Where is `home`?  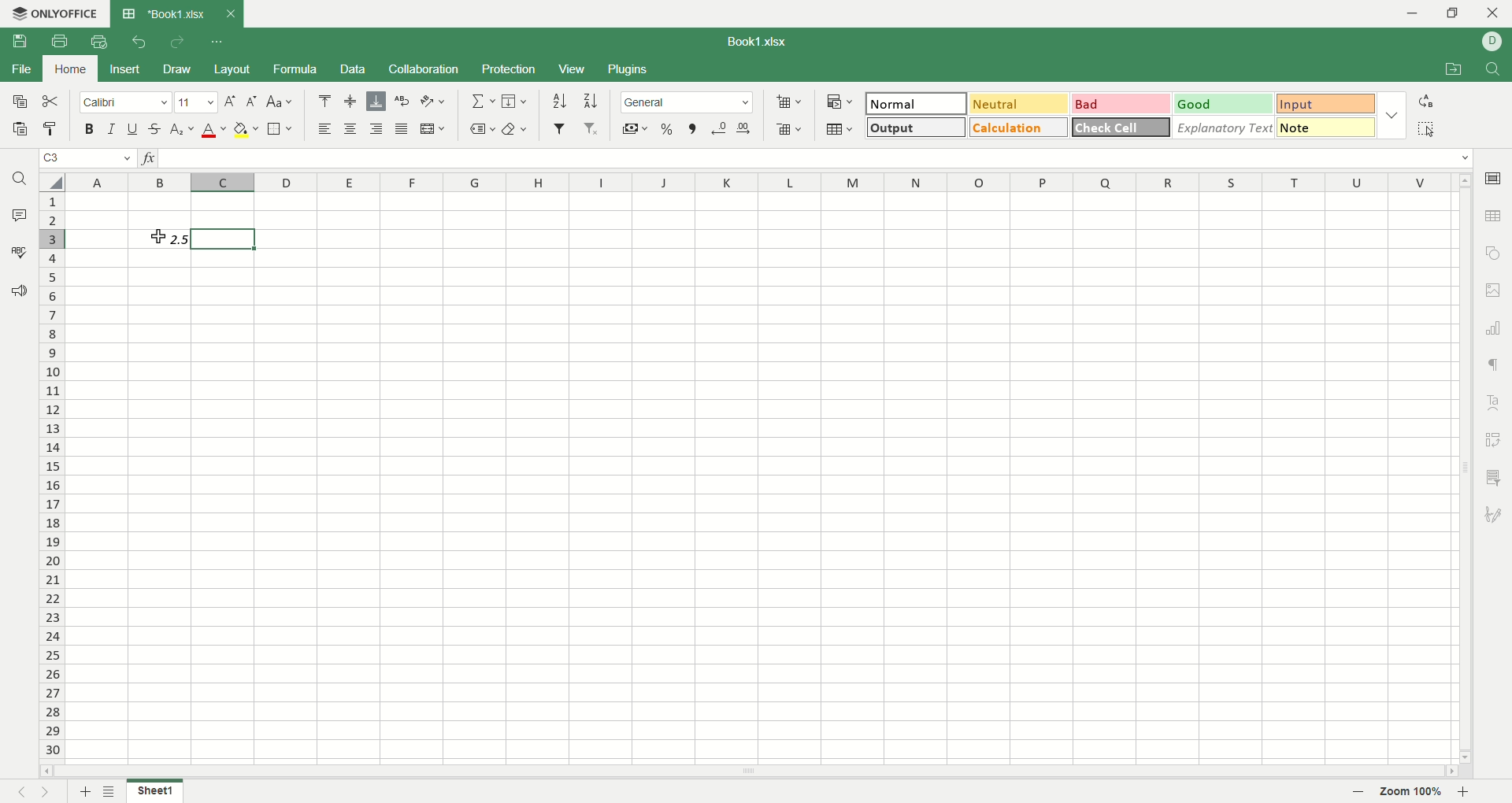
home is located at coordinates (68, 68).